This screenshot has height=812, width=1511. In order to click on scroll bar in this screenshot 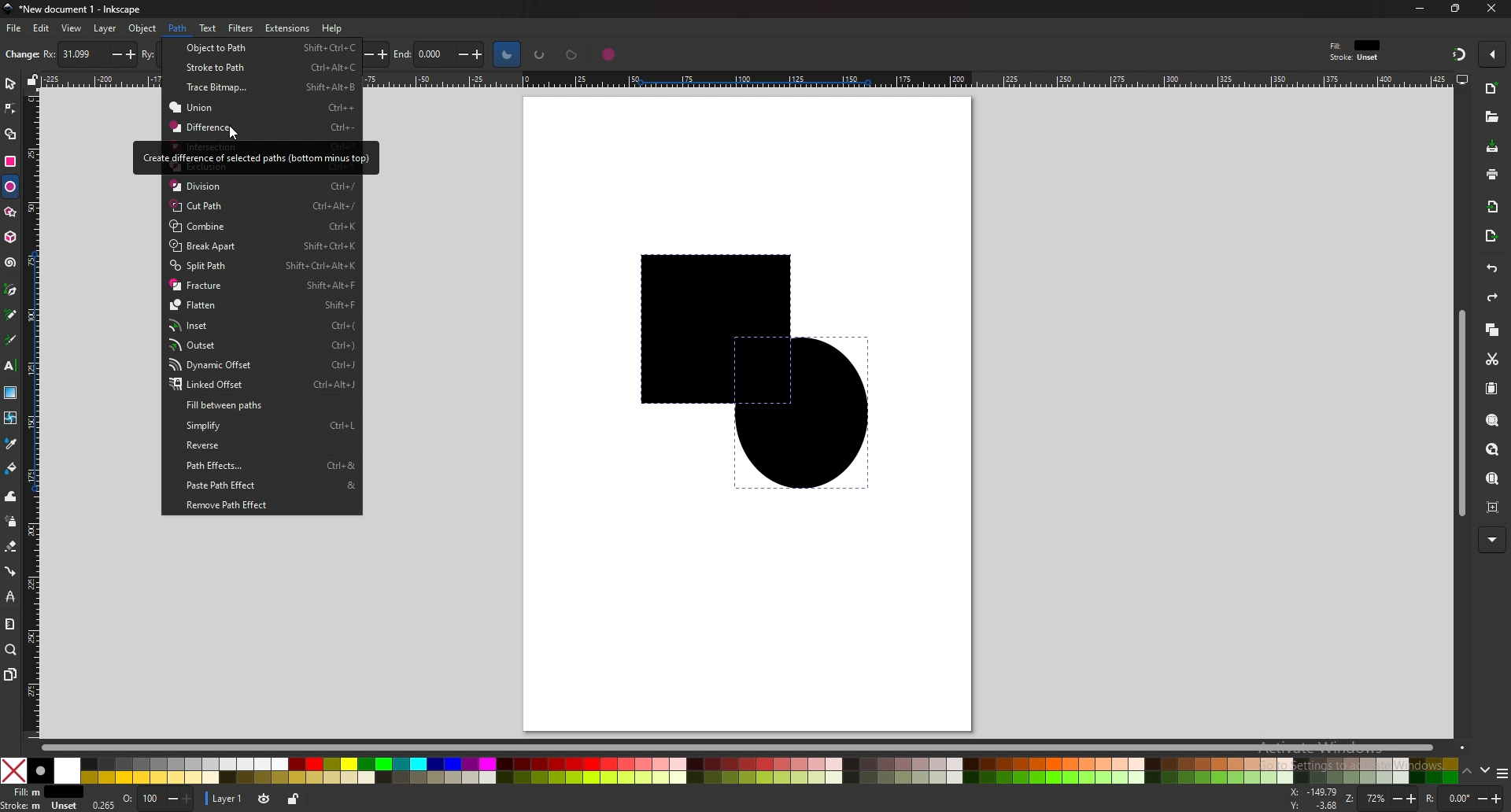, I will do `click(1459, 412)`.